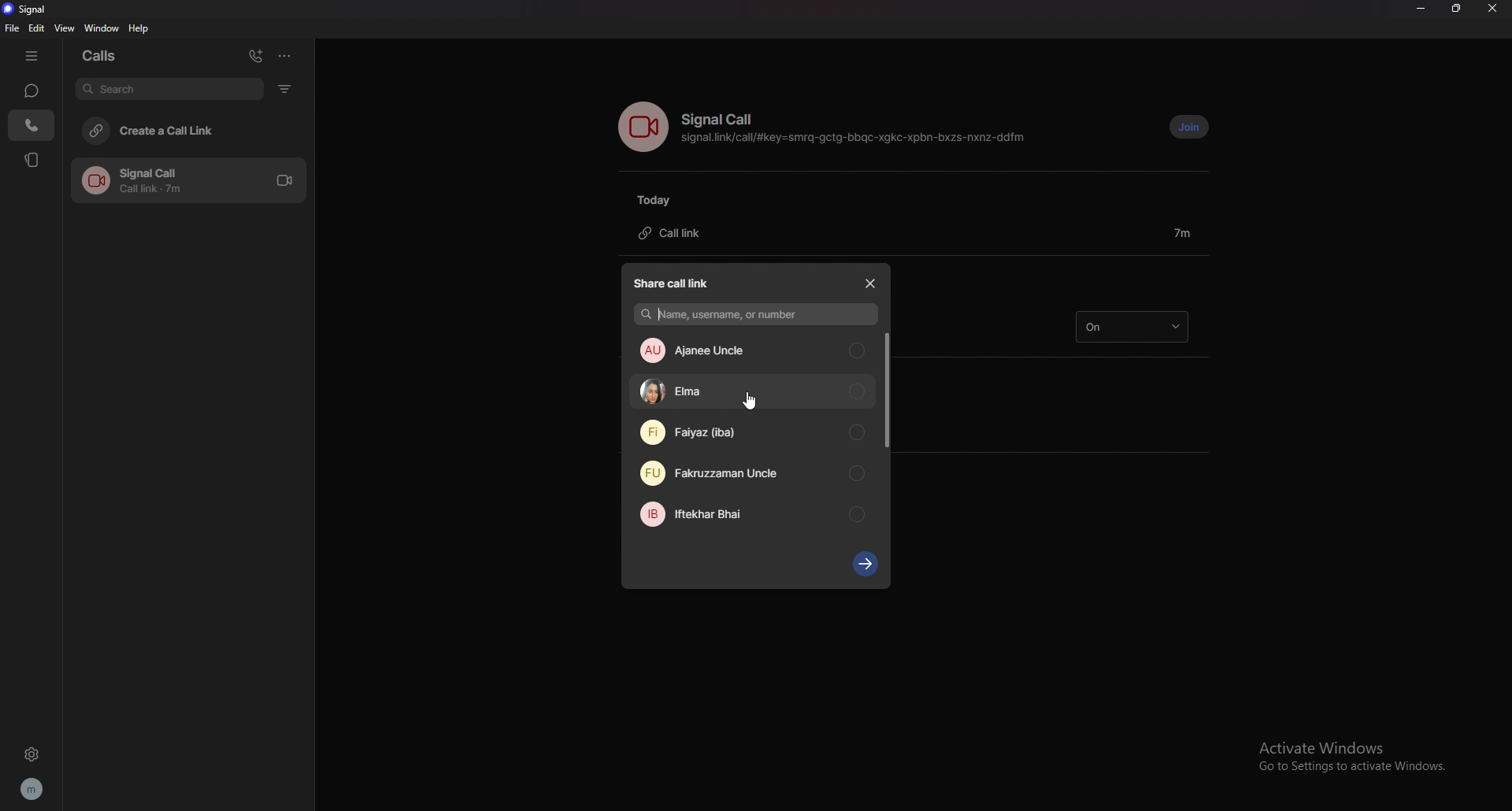  What do you see at coordinates (721, 120) in the screenshot?
I see `signal call` at bounding box center [721, 120].